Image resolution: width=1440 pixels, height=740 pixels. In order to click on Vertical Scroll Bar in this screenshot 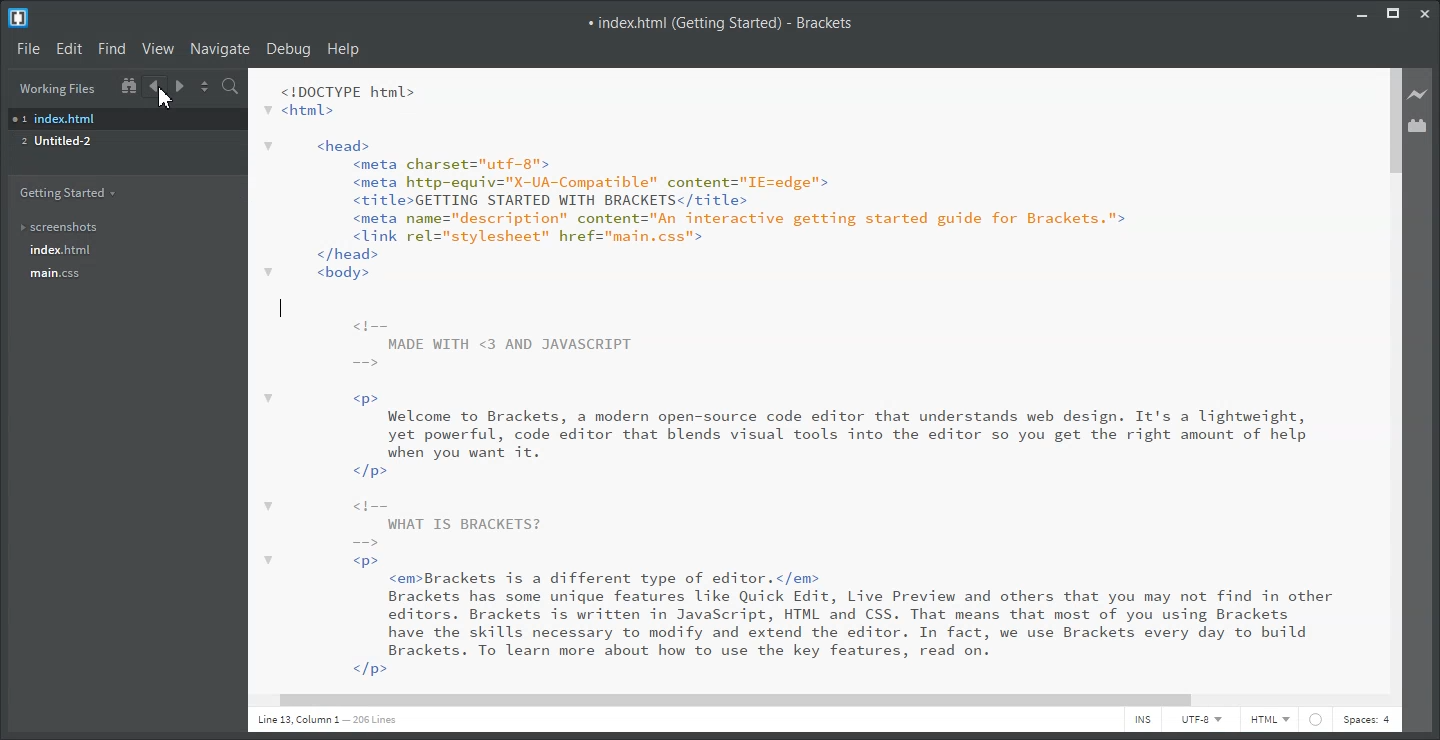, I will do `click(1394, 376)`.